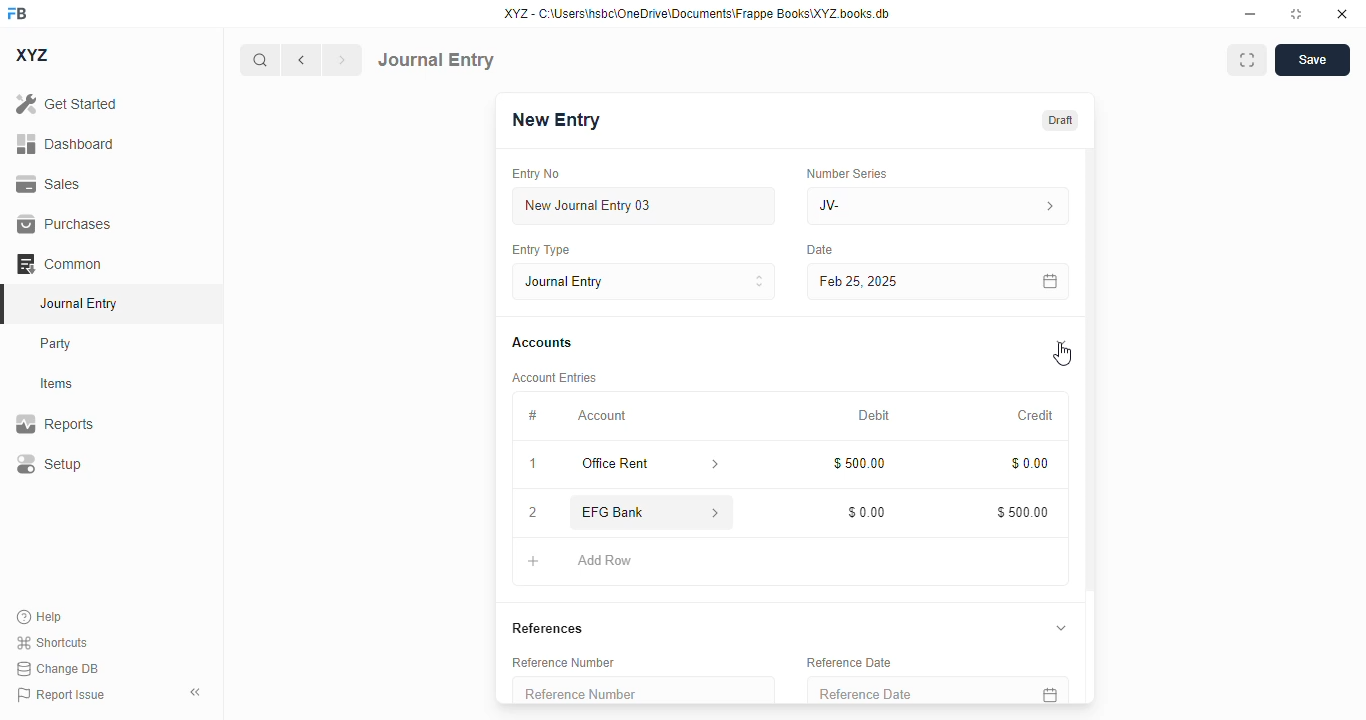 This screenshot has height=720, width=1366. What do you see at coordinates (533, 464) in the screenshot?
I see `1` at bounding box center [533, 464].